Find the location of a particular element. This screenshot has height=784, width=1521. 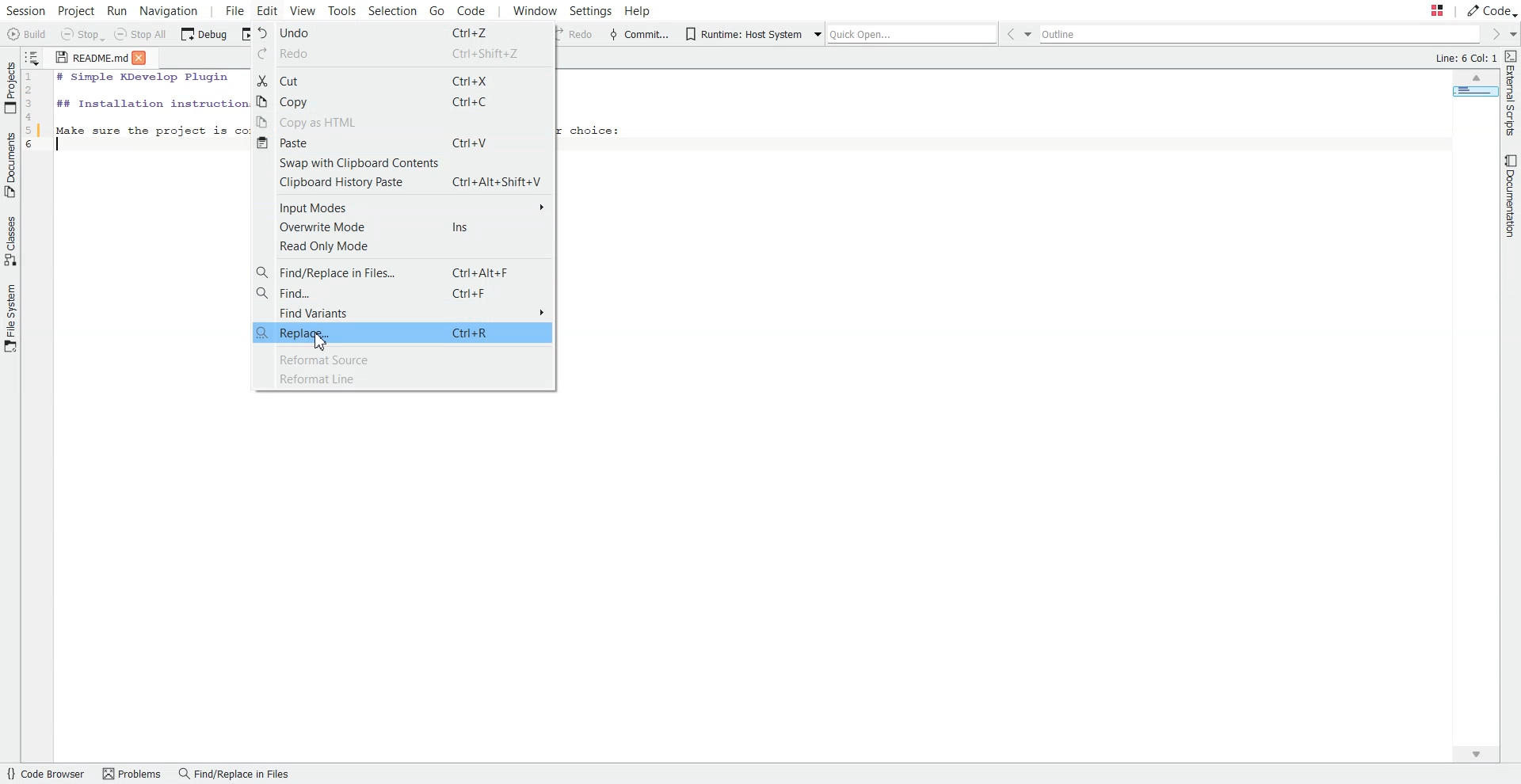

Reformat Source is located at coordinates (404, 360).